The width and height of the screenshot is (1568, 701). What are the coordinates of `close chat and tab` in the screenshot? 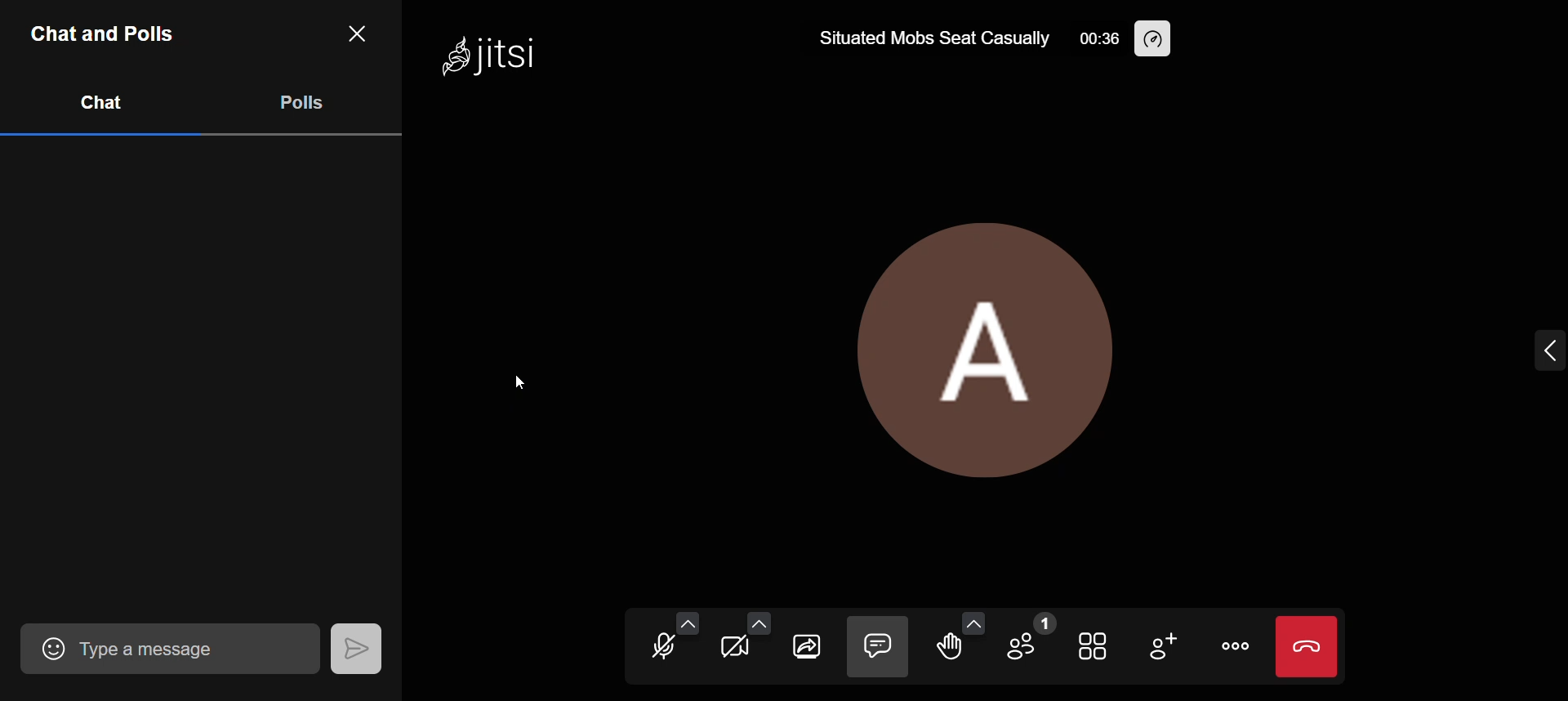 It's located at (352, 36).